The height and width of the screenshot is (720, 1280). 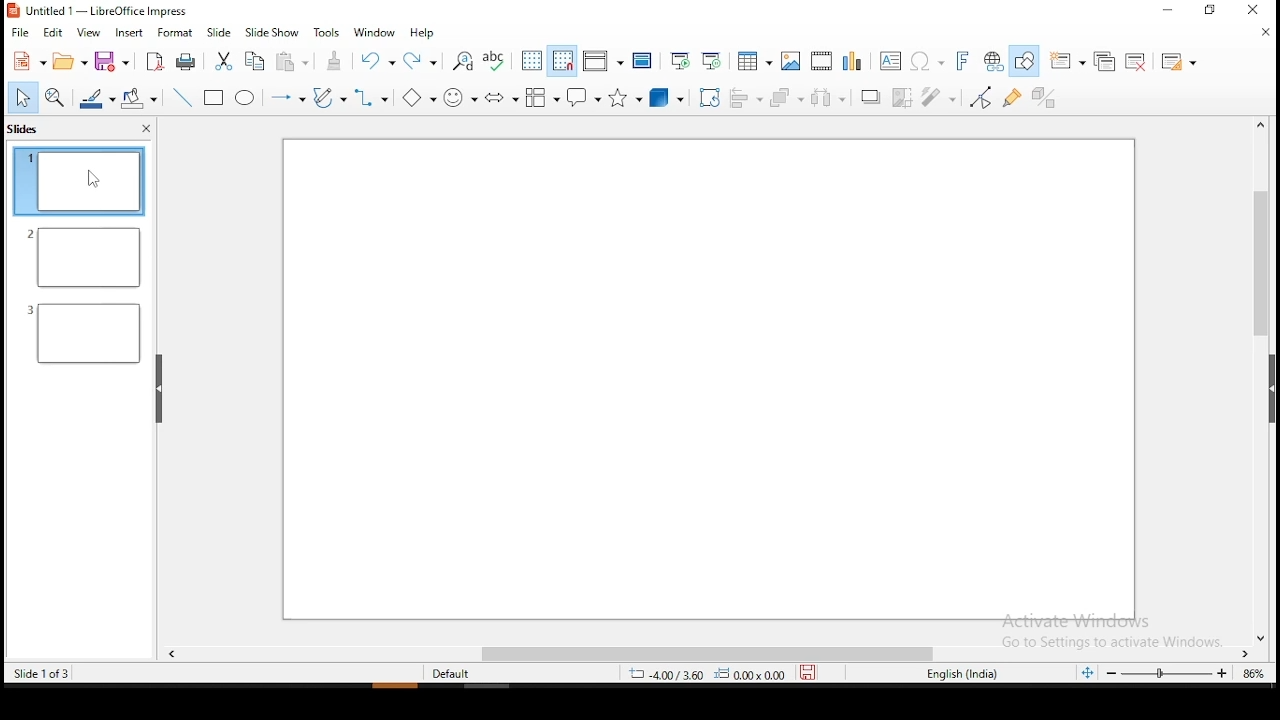 I want to click on fit slide to current window, so click(x=1088, y=674).